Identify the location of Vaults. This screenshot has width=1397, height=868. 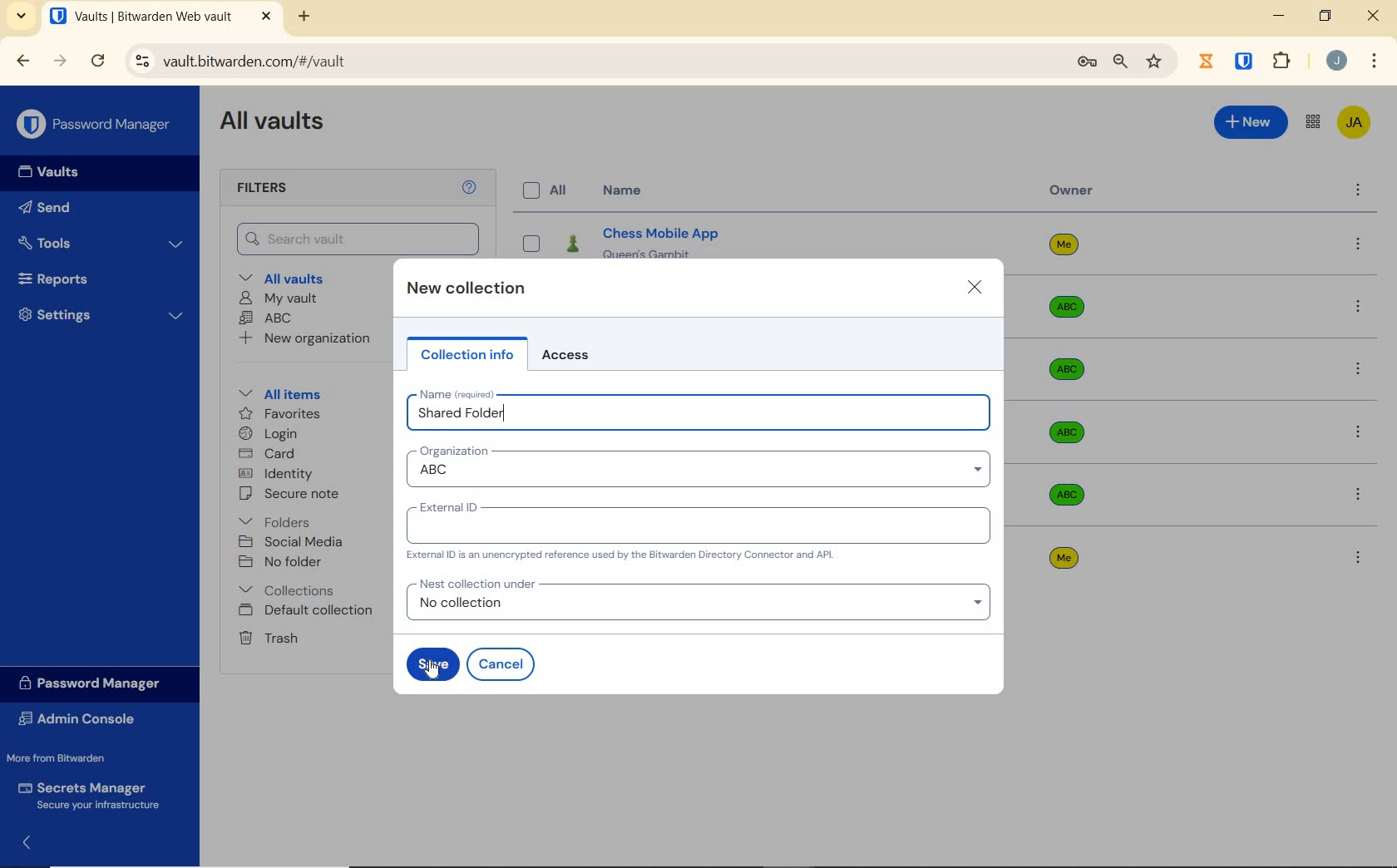
(51, 170).